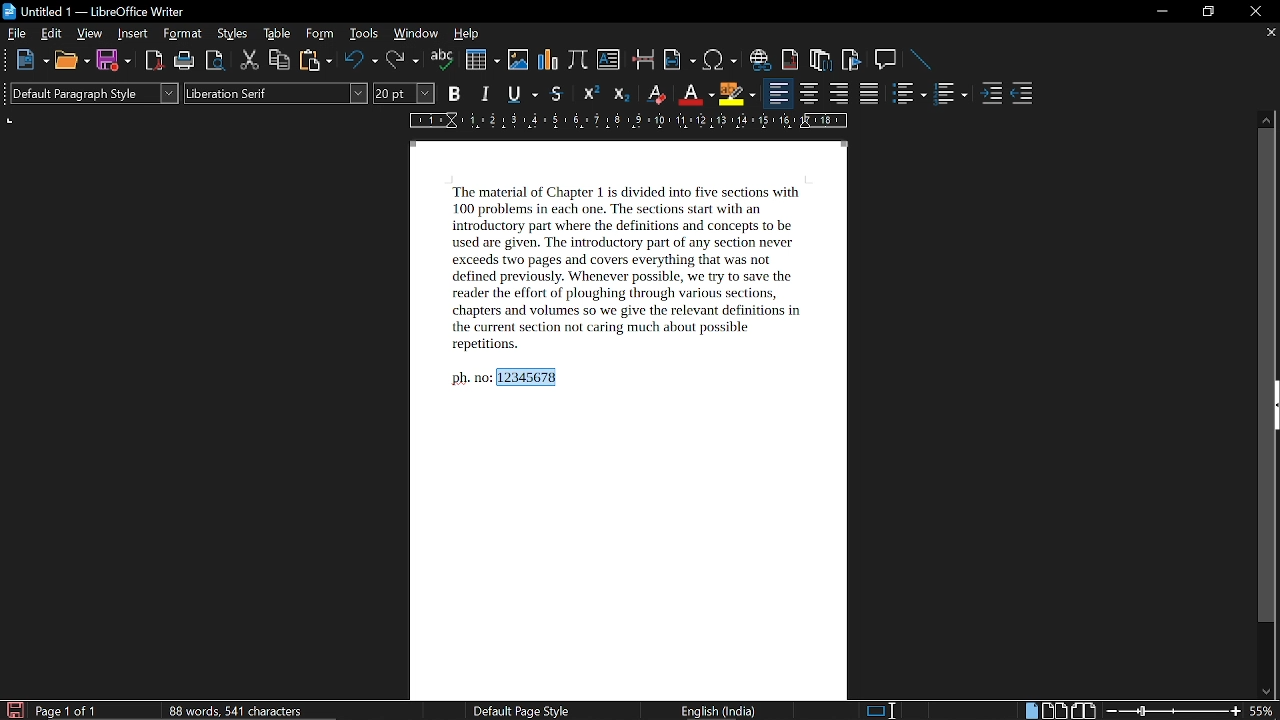  Describe the element at coordinates (363, 35) in the screenshot. I see `tools` at that location.